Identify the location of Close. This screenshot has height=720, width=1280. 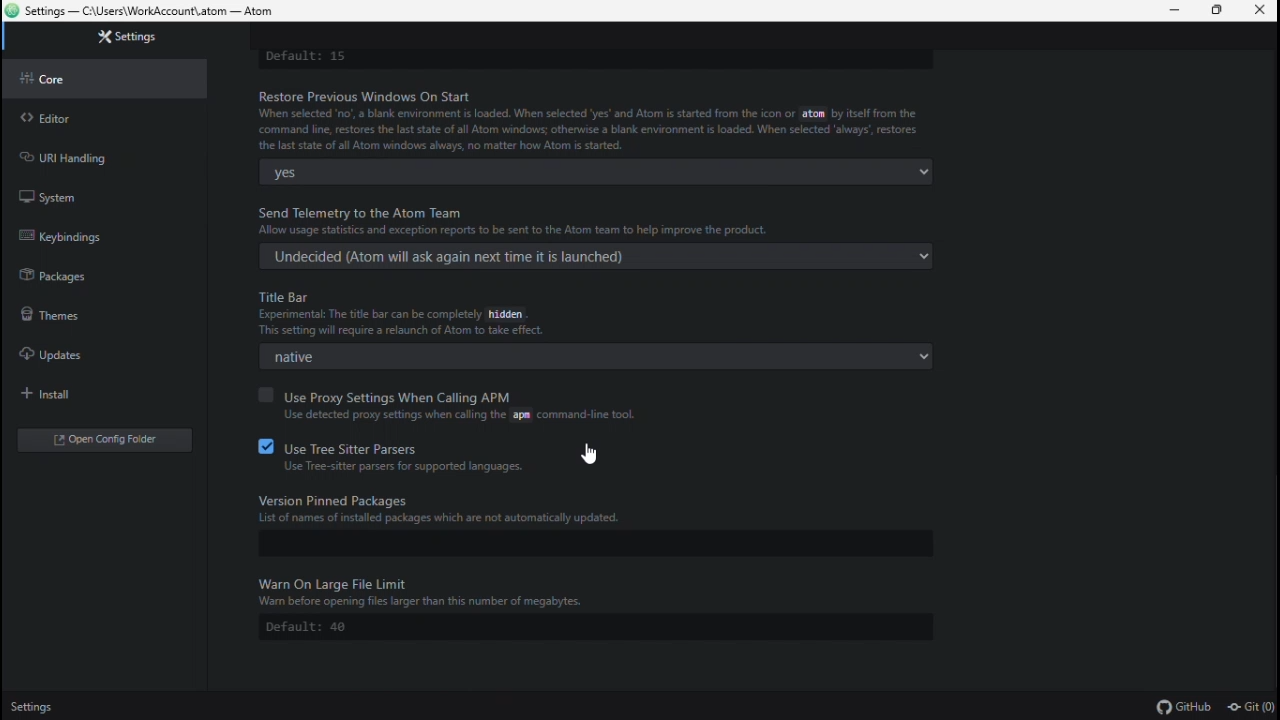
(1262, 11).